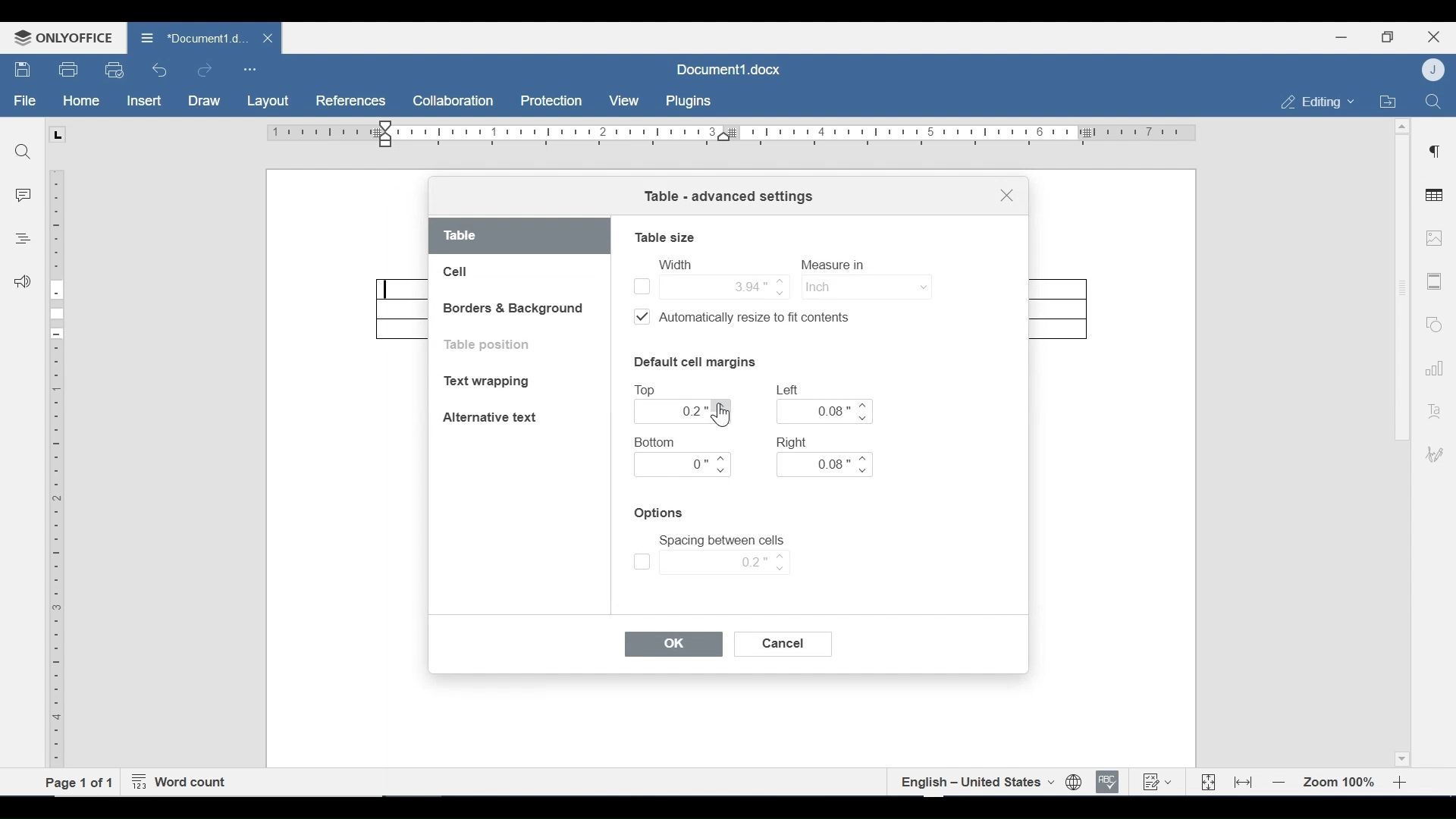 The height and width of the screenshot is (819, 1456). What do you see at coordinates (1432, 408) in the screenshot?
I see `Text Art` at bounding box center [1432, 408].